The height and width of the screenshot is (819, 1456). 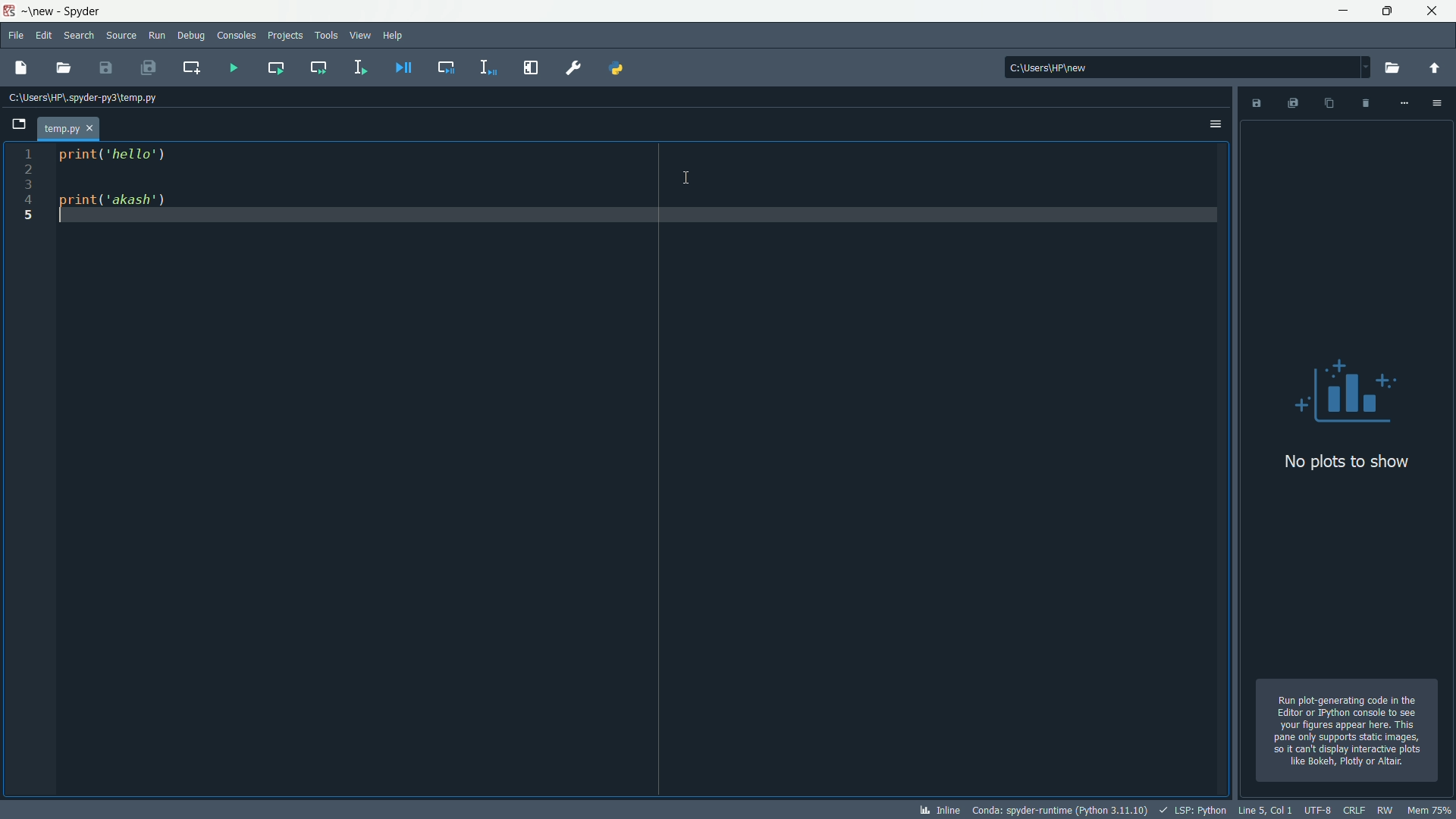 What do you see at coordinates (448, 66) in the screenshot?
I see `debug cell` at bounding box center [448, 66].